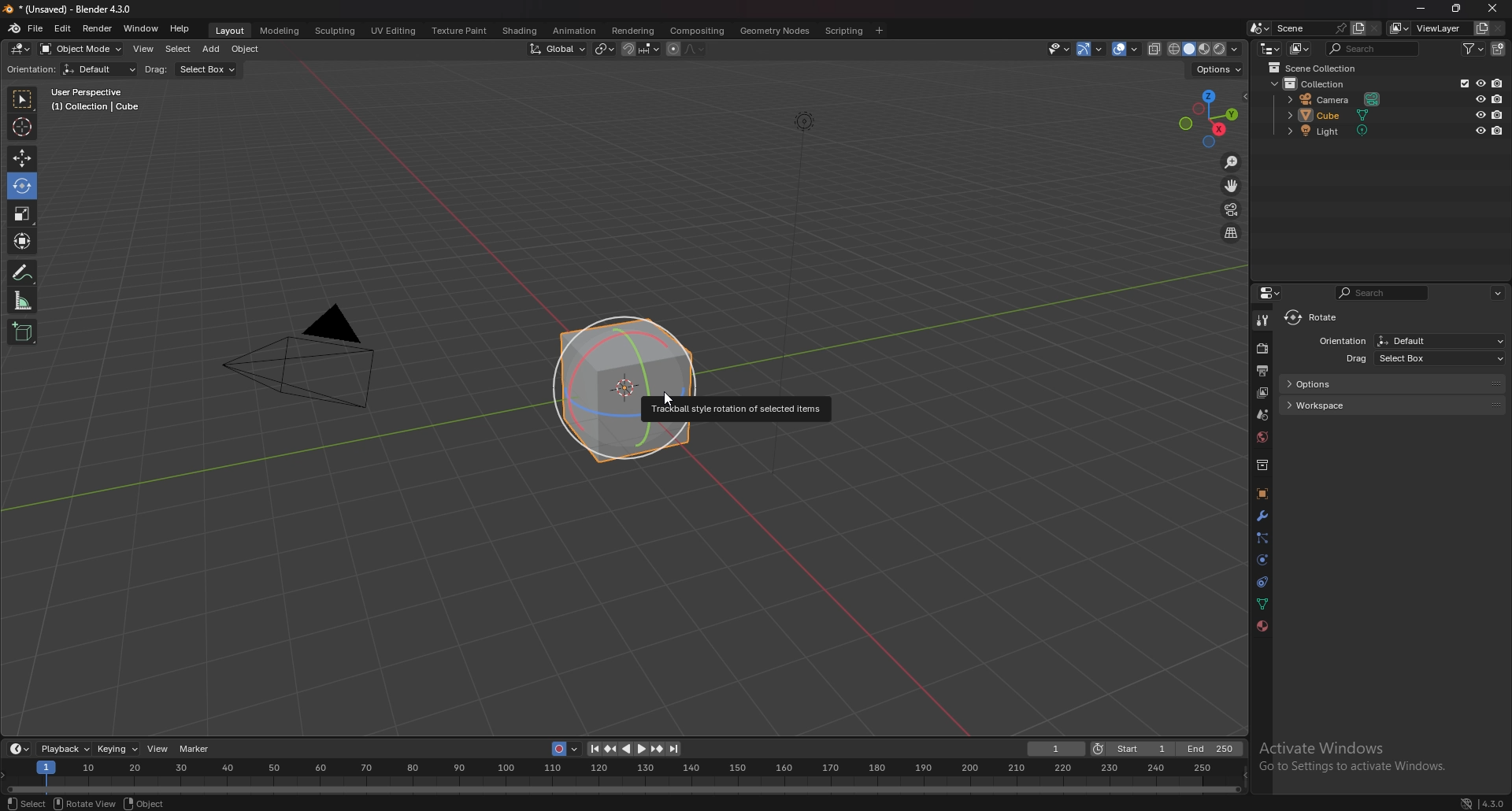 This screenshot has height=811, width=1512. What do you see at coordinates (1269, 49) in the screenshot?
I see `editor type` at bounding box center [1269, 49].